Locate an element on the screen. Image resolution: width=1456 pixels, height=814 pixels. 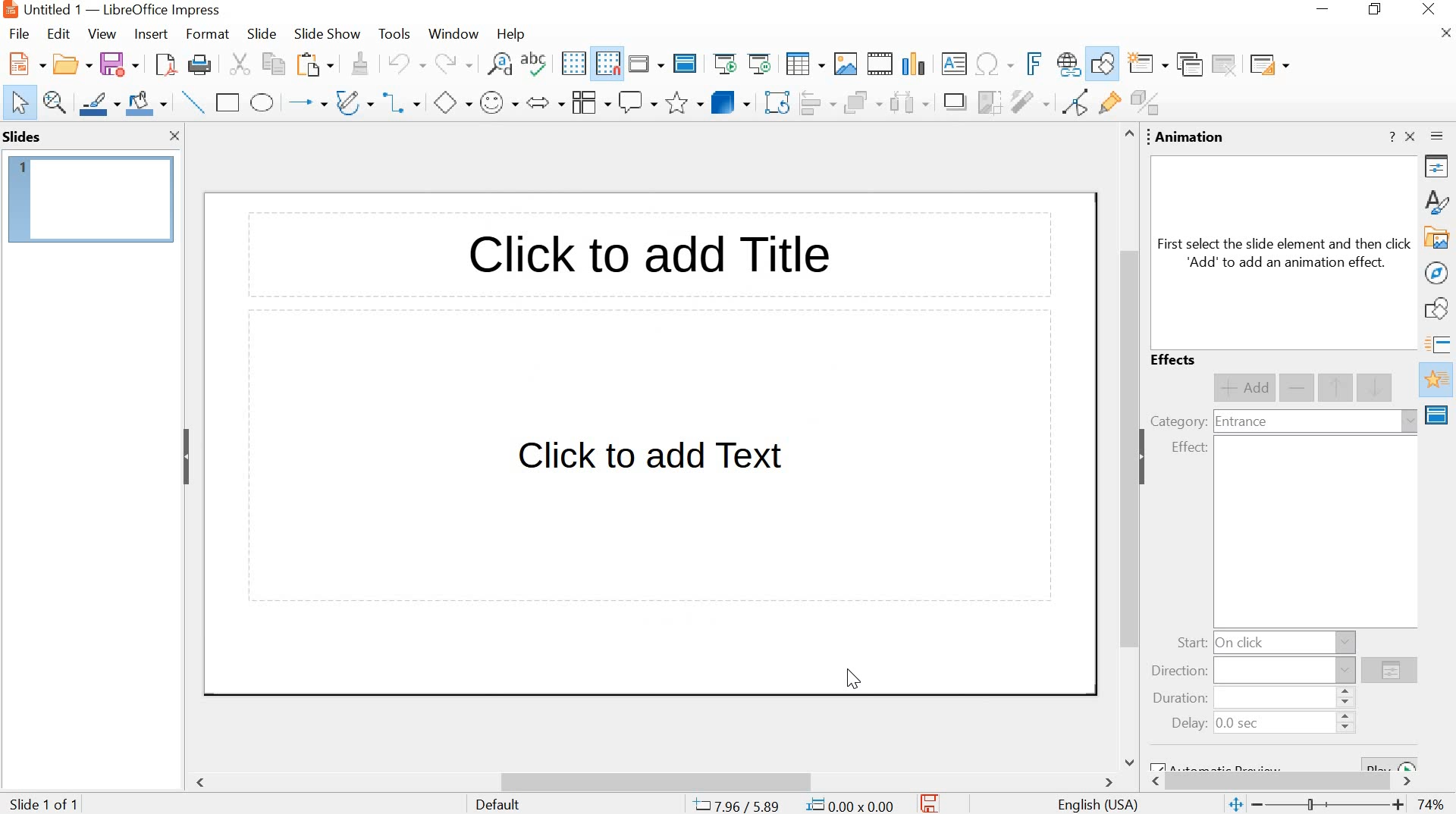
paste is located at coordinates (313, 66).